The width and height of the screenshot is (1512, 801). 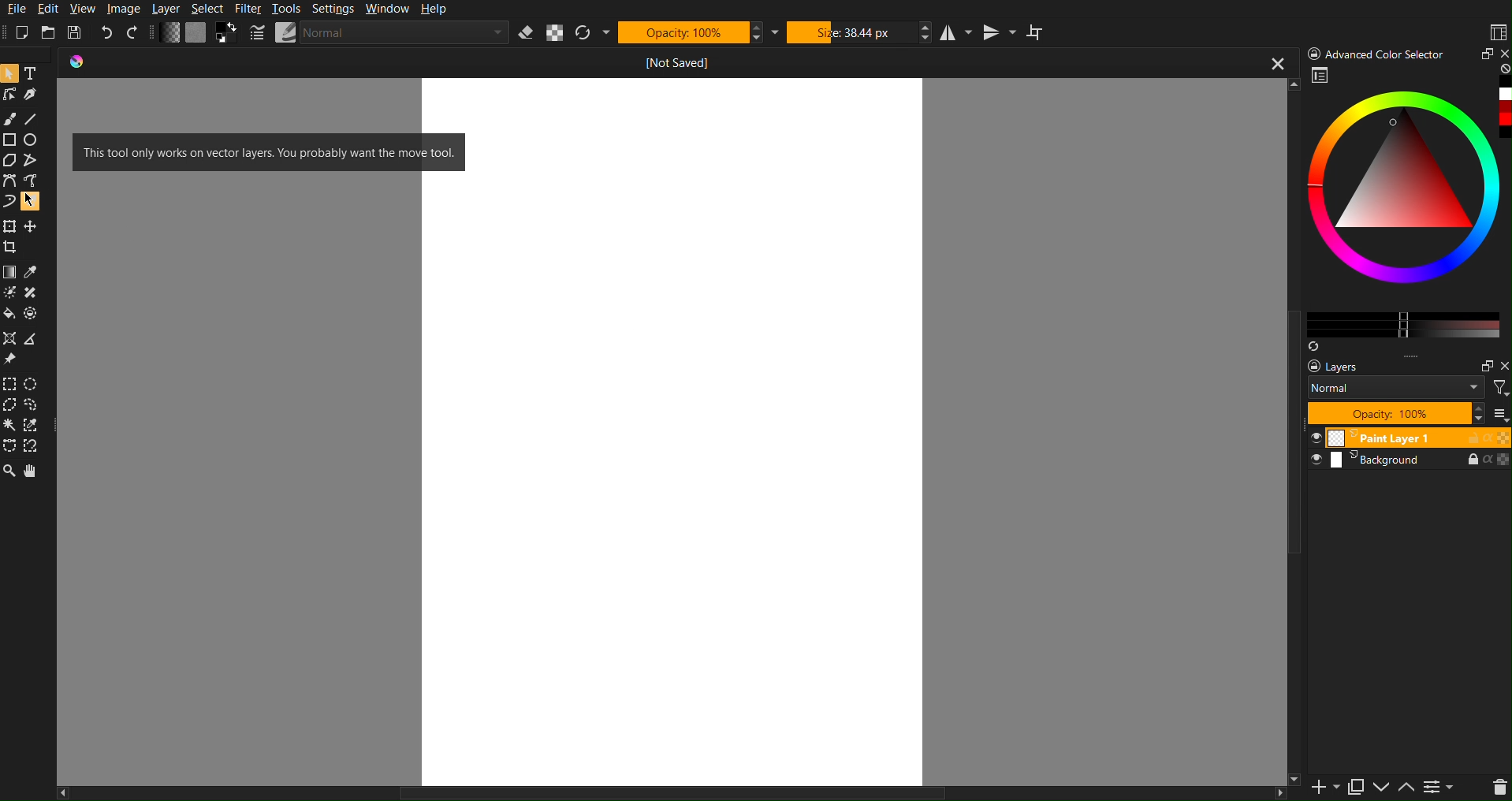 I want to click on copy, so click(x=1355, y=787).